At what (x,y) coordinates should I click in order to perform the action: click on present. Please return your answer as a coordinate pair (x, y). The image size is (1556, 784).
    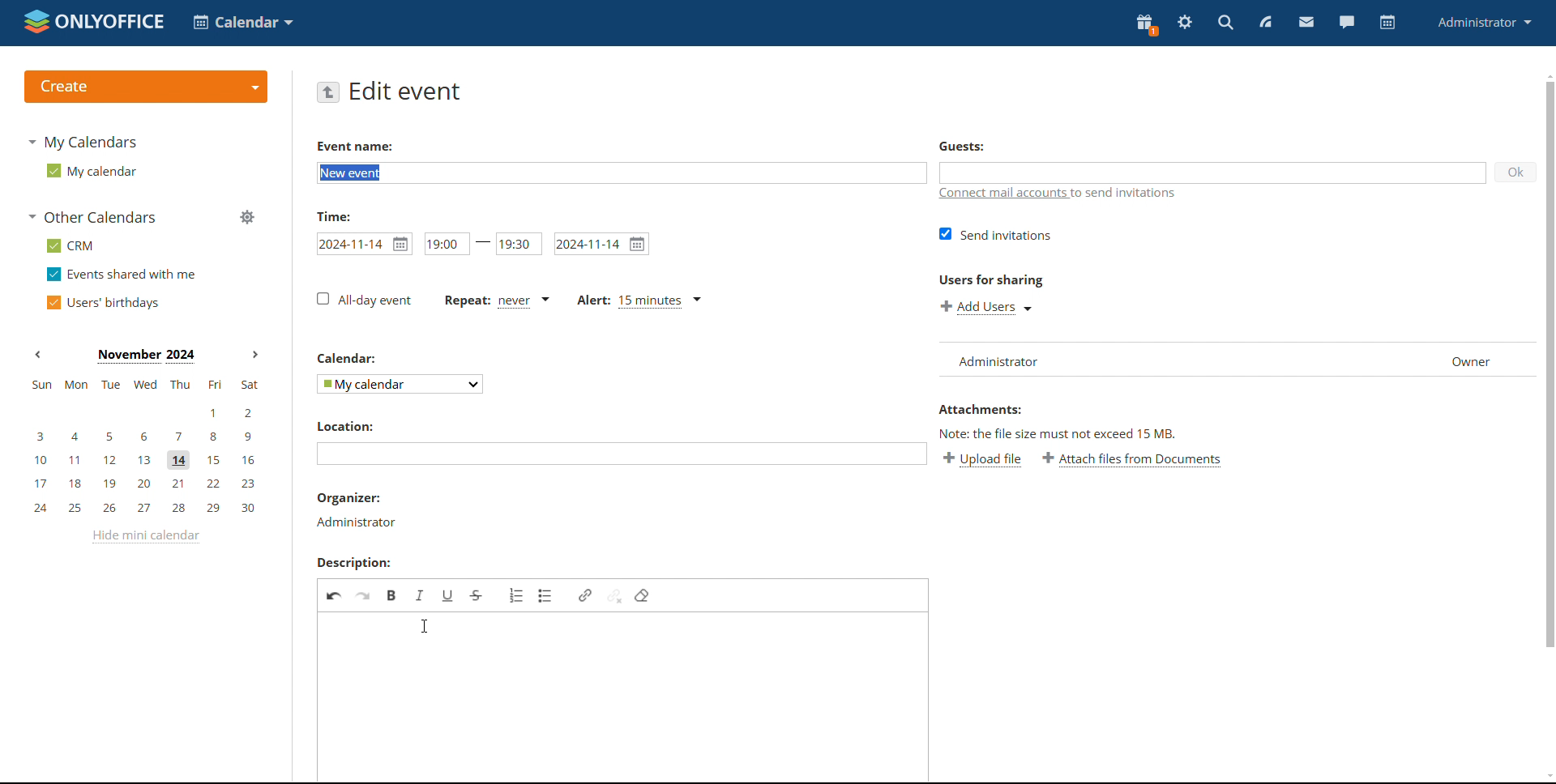
    Looking at the image, I should click on (1145, 24).